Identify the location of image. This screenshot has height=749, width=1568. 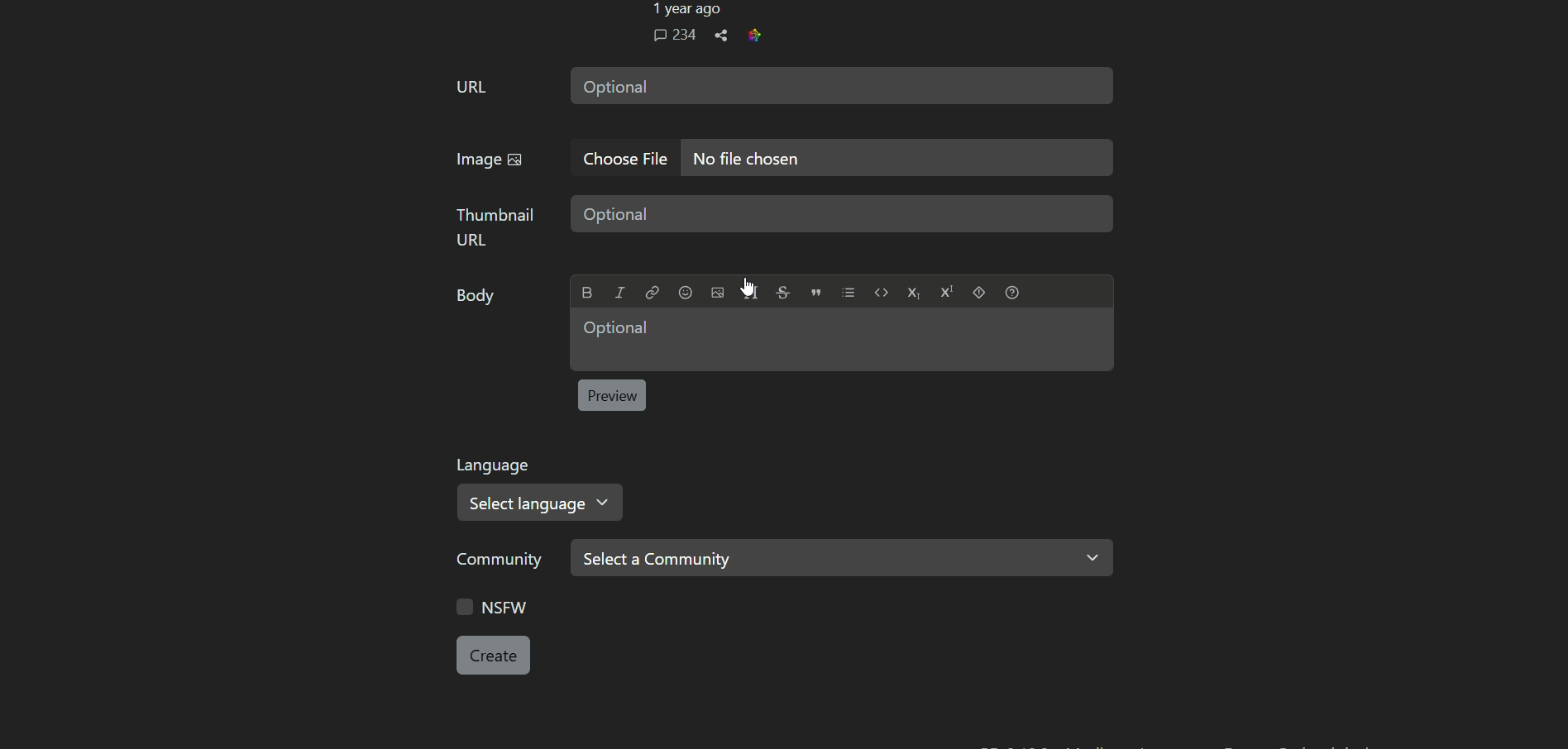
(488, 160).